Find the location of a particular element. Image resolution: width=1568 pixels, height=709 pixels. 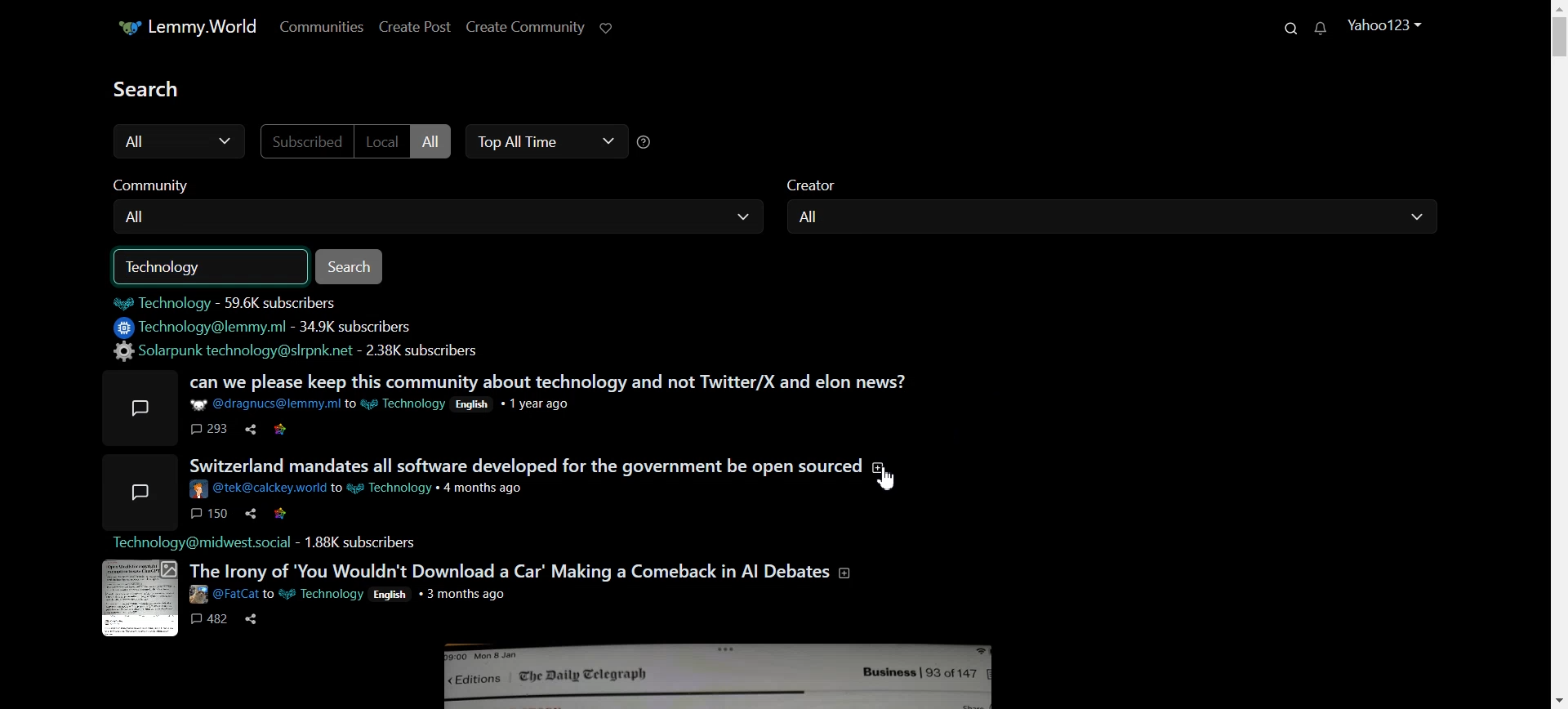

Text is located at coordinates (174, 267).